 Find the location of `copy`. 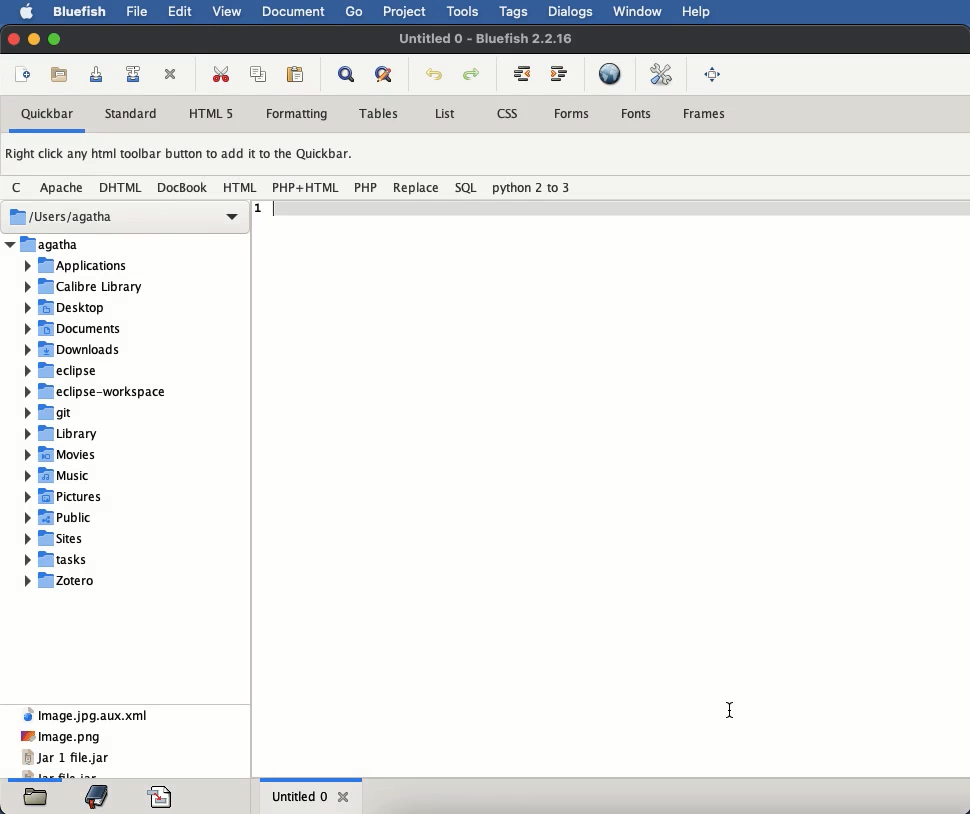

copy is located at coordinates (261, 75).